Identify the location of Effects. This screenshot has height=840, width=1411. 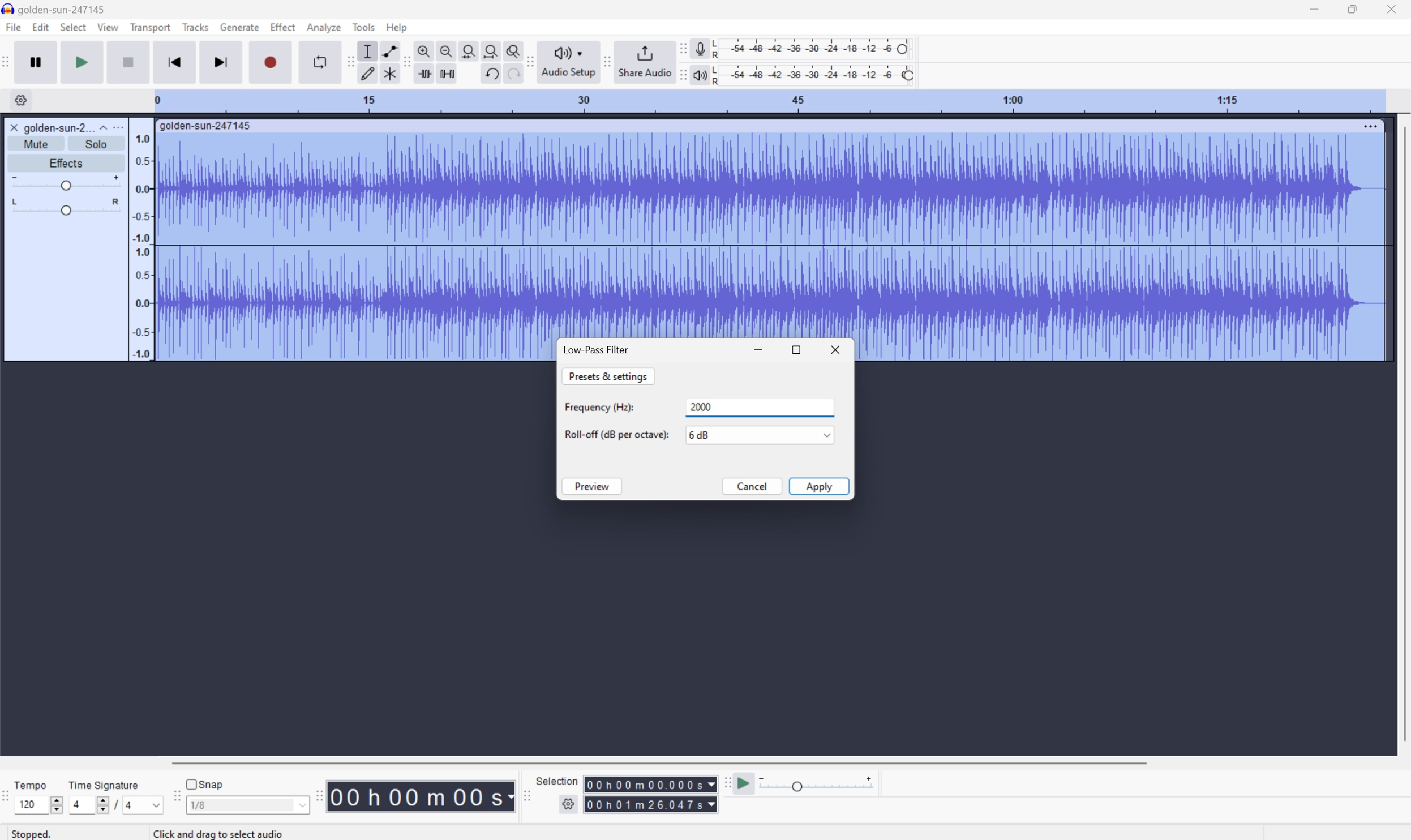
(65, 161).